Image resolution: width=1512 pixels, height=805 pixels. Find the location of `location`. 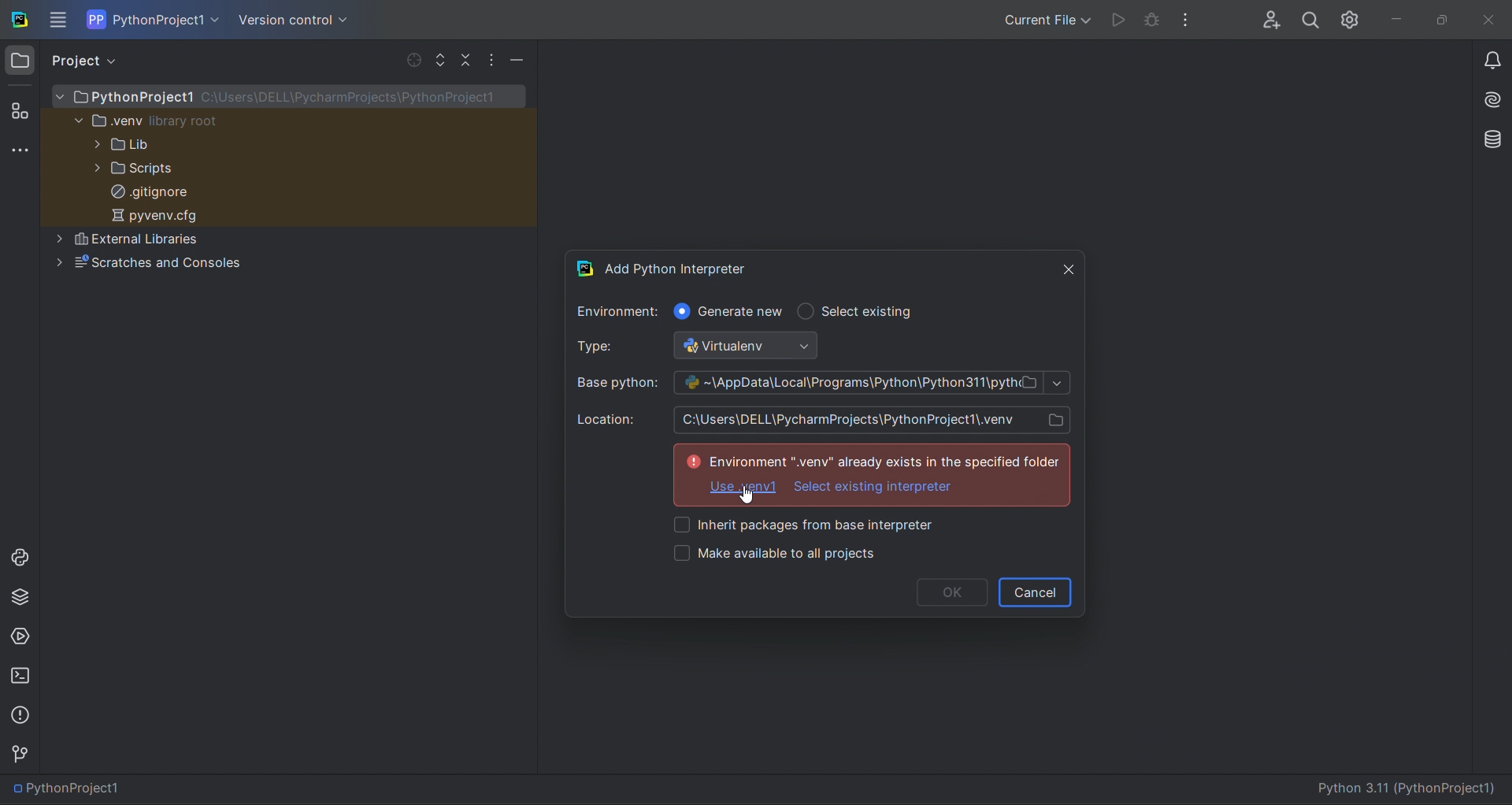

location is located at coordinates (831, 417).